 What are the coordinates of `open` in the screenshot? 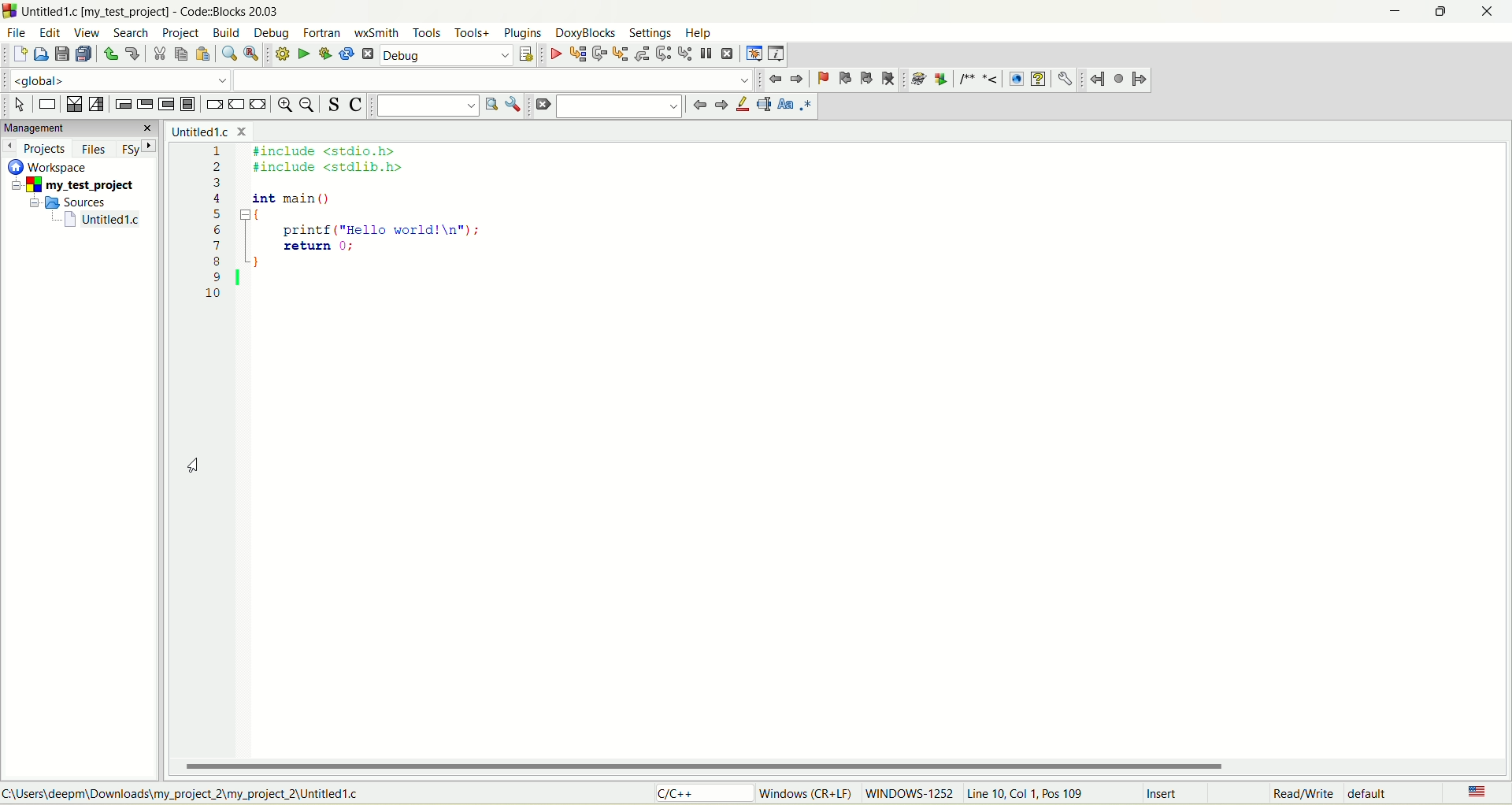 It's located at (40, 54).